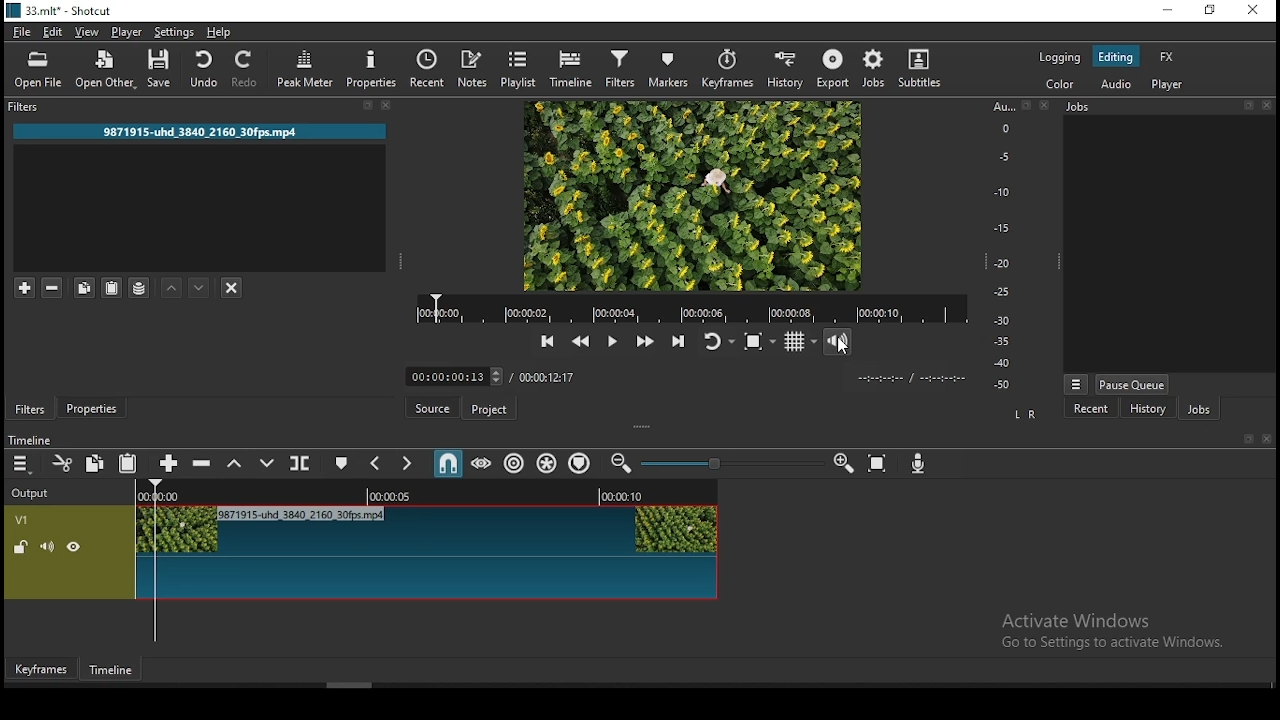 This screenshot has height=720, width=1280. Describe the element at coordinates (39, 72) in the screenshot. I see `open file` at that location.